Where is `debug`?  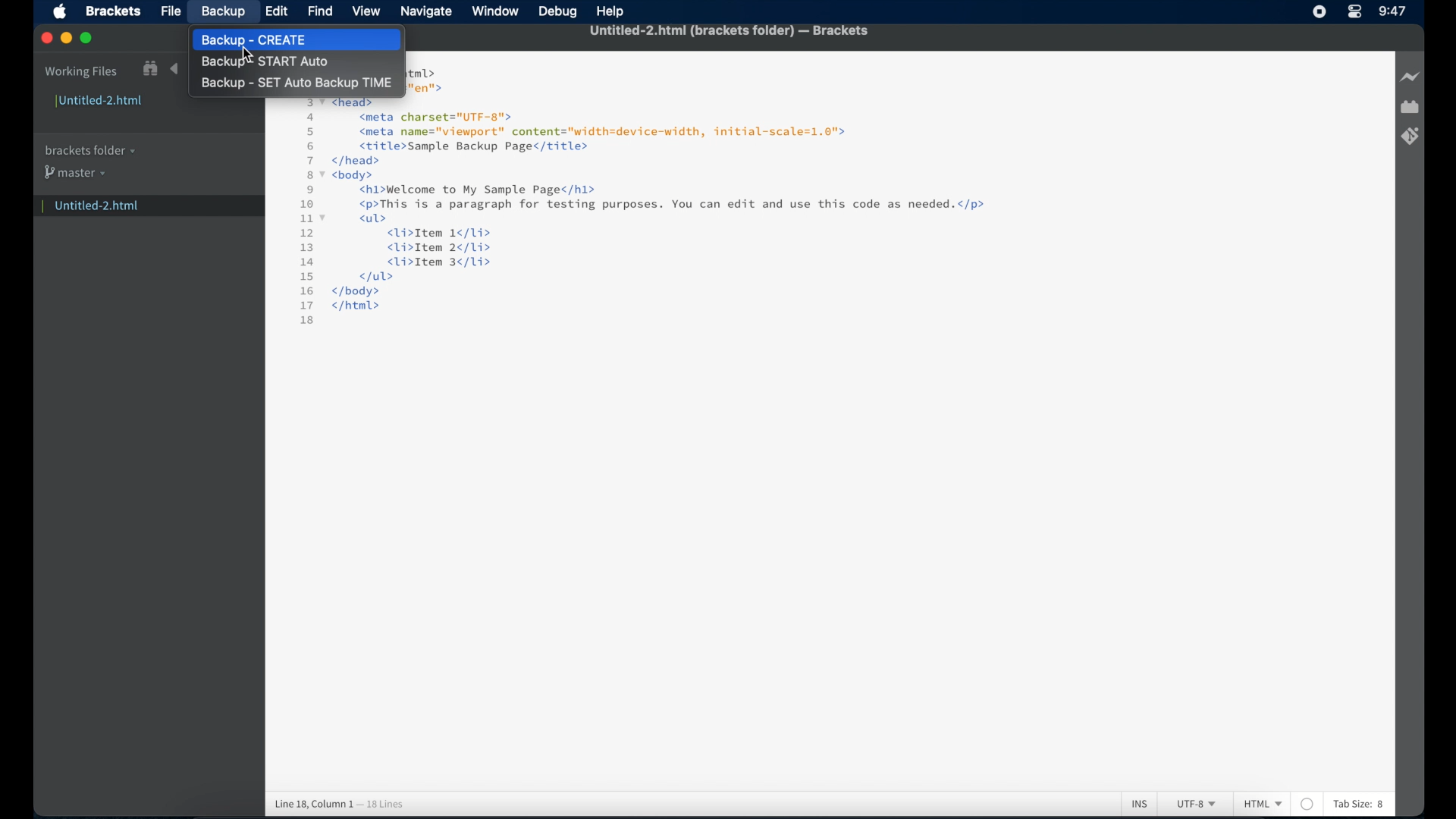
debug is located at coordinates (556, 12).